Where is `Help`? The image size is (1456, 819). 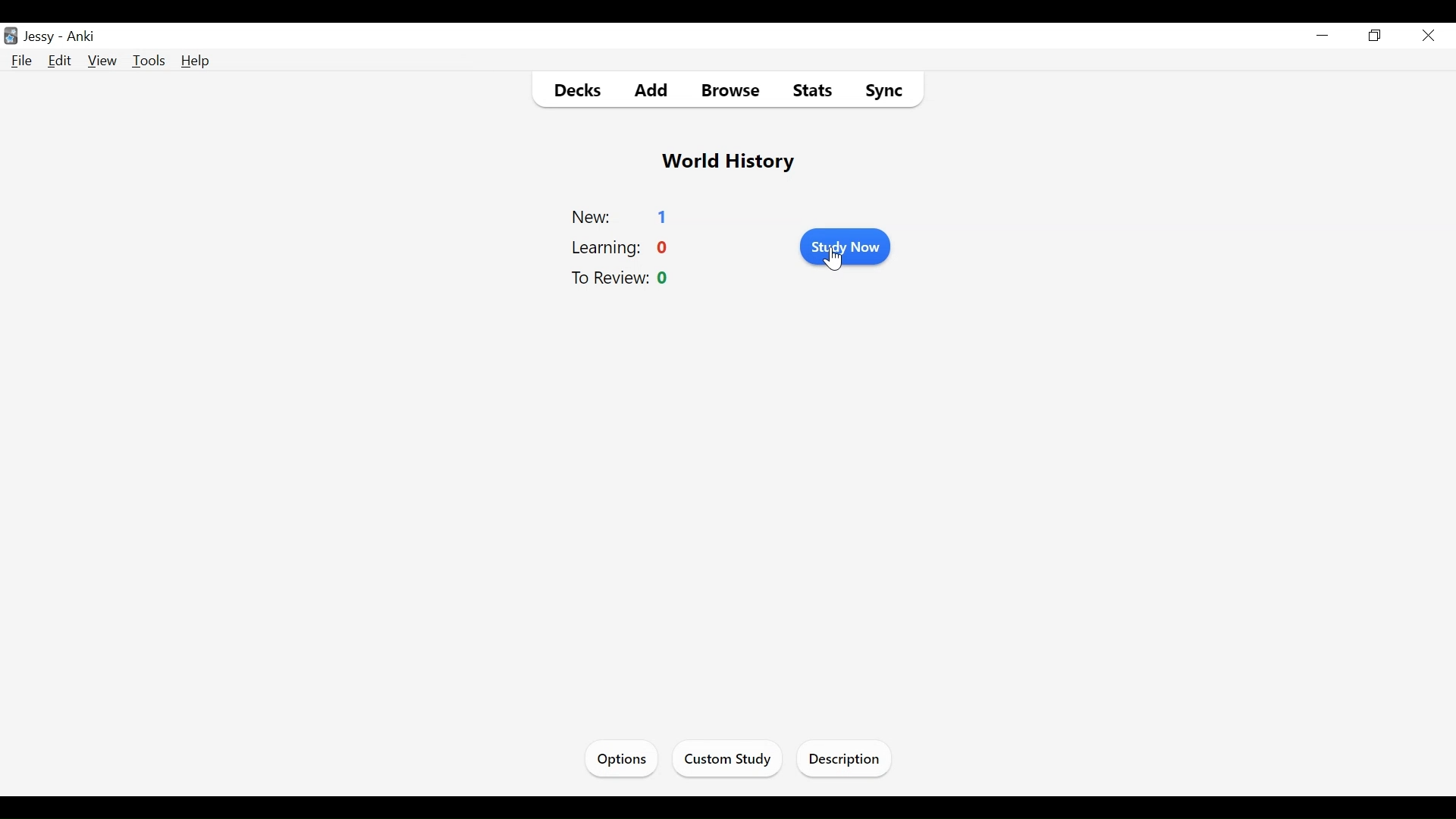
Help is located at coordinates (196, 61).